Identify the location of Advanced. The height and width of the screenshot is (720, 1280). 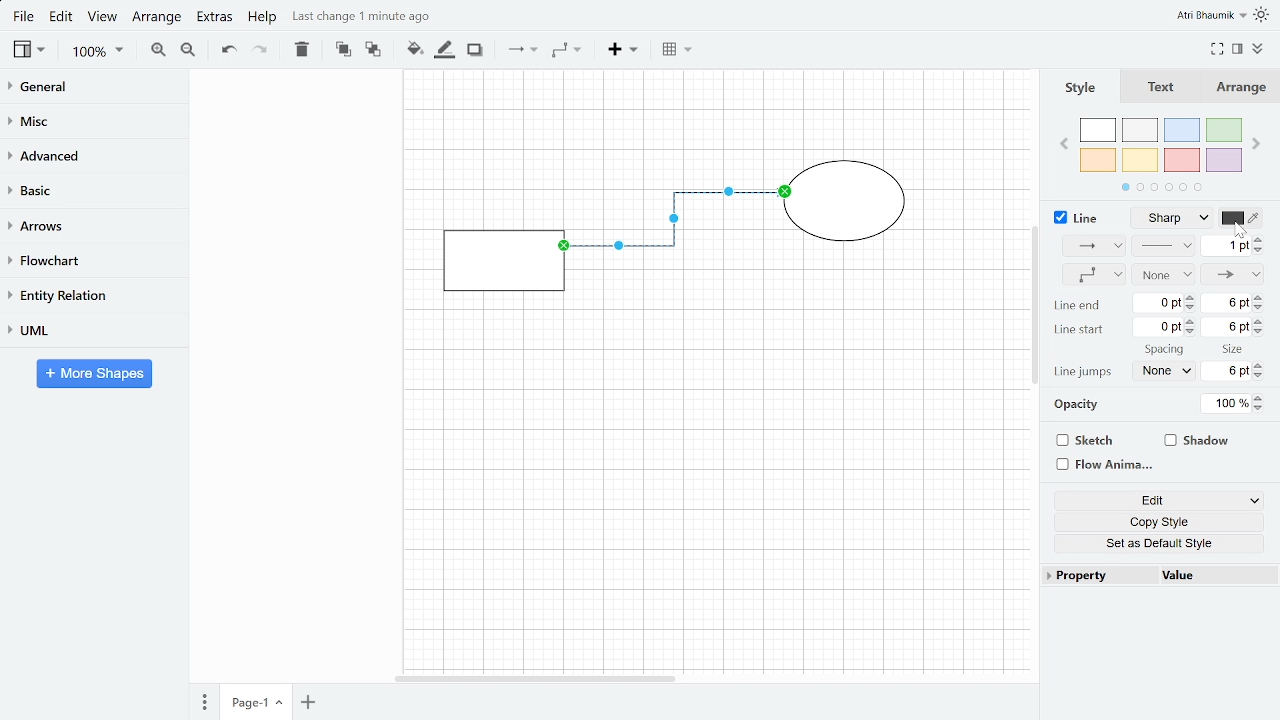
(94, 156).